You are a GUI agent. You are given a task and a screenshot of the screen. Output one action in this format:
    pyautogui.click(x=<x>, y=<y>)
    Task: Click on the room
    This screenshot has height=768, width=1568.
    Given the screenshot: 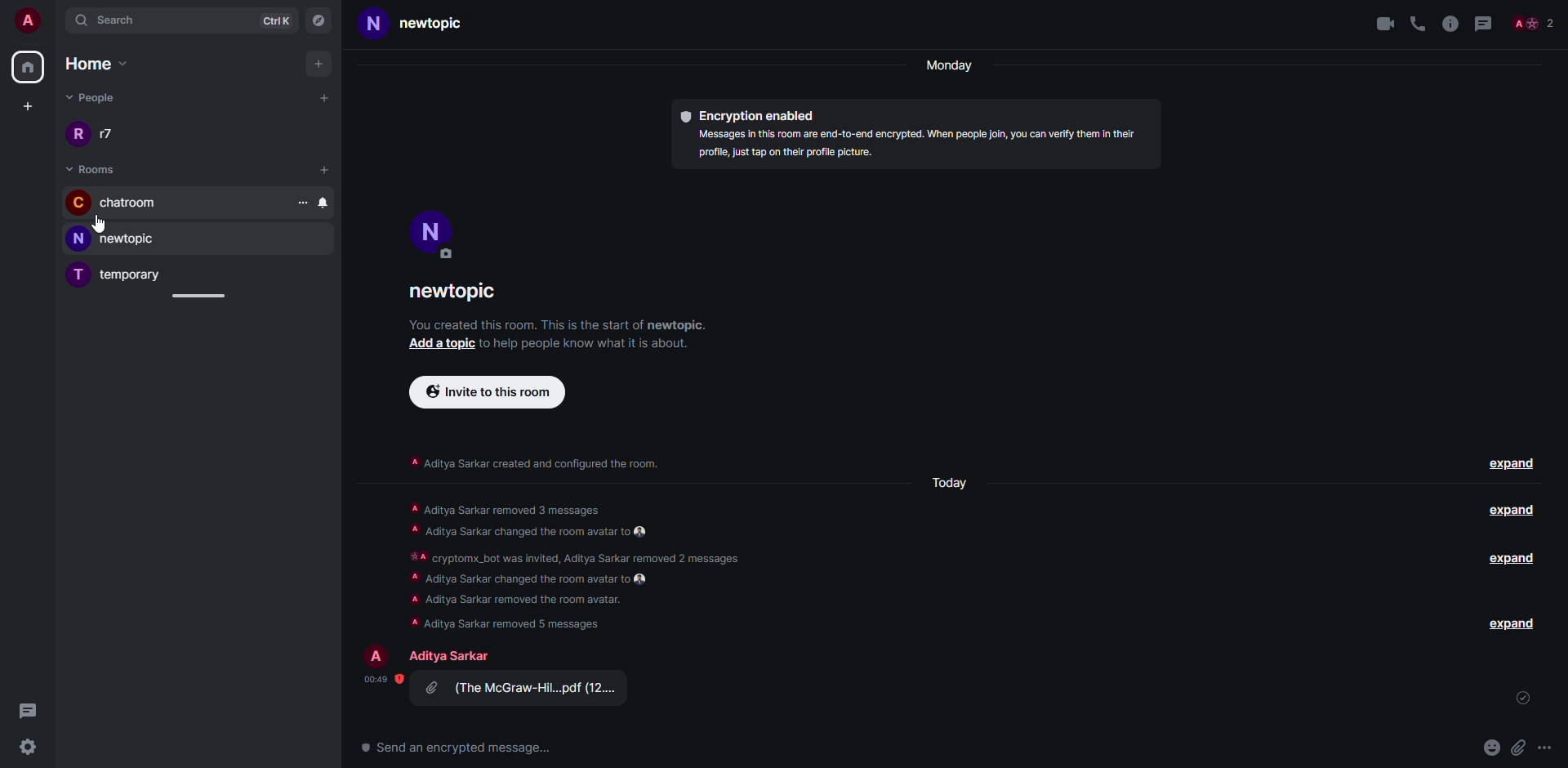 What is the action you would take?
    pyautogui.click(x=454, y=291)
    